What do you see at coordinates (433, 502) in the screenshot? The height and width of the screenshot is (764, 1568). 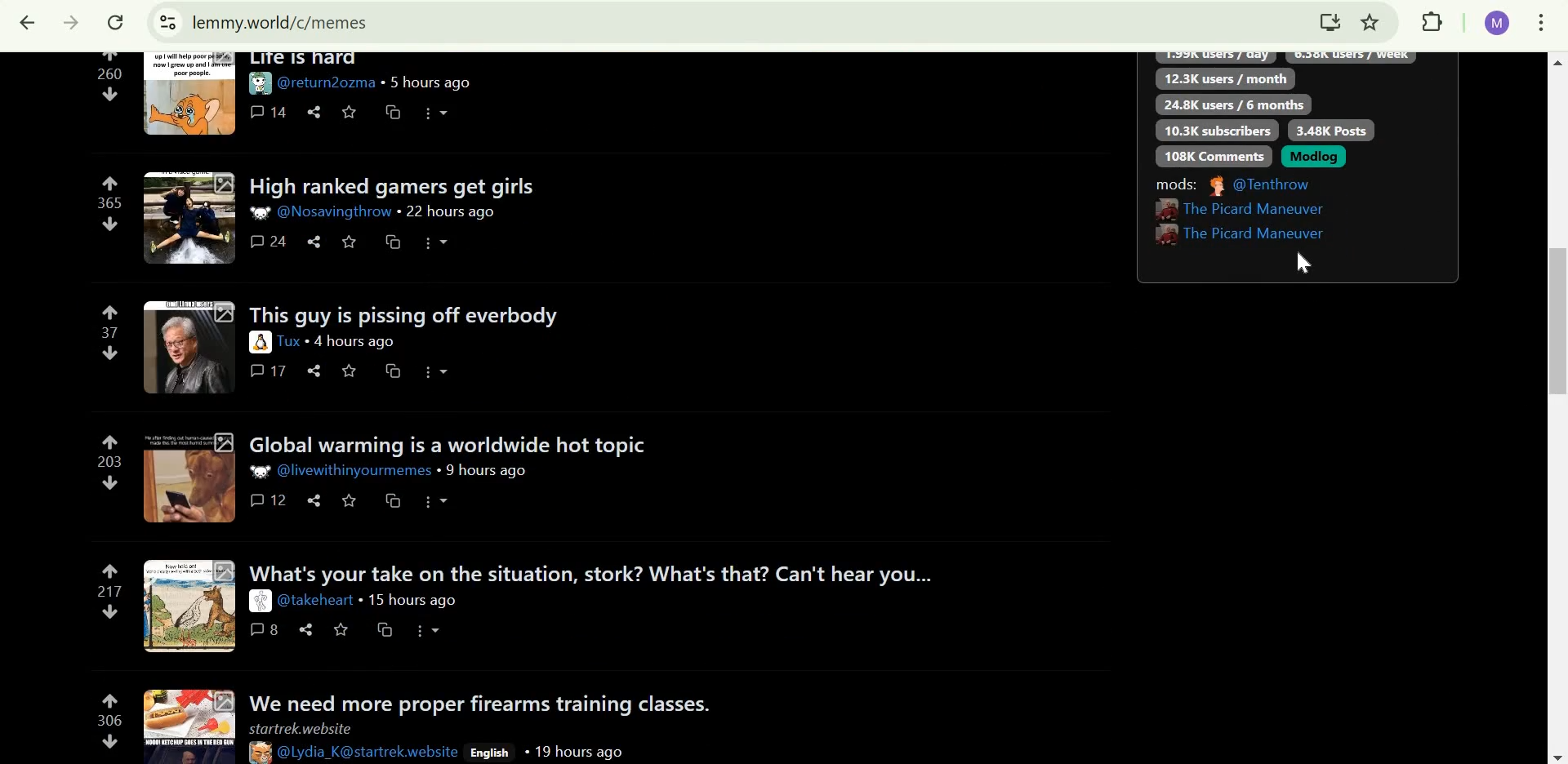 I see `icons` at bounding box center [433, 502].